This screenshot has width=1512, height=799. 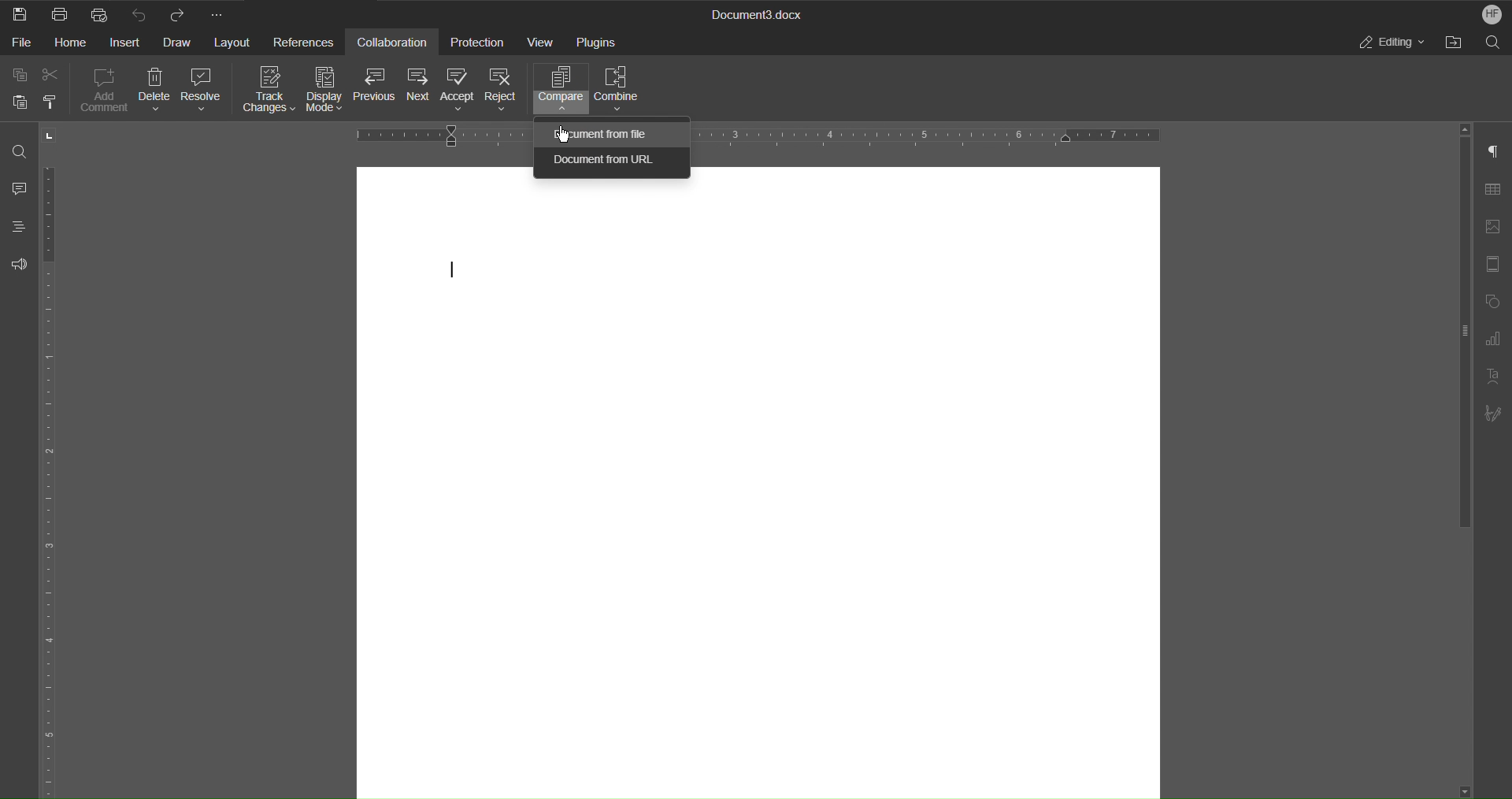 What do you see at coordinates (1494, 151) in the screenshot?
I see `Paragraph Settings` at bounding box center [1494, 151].